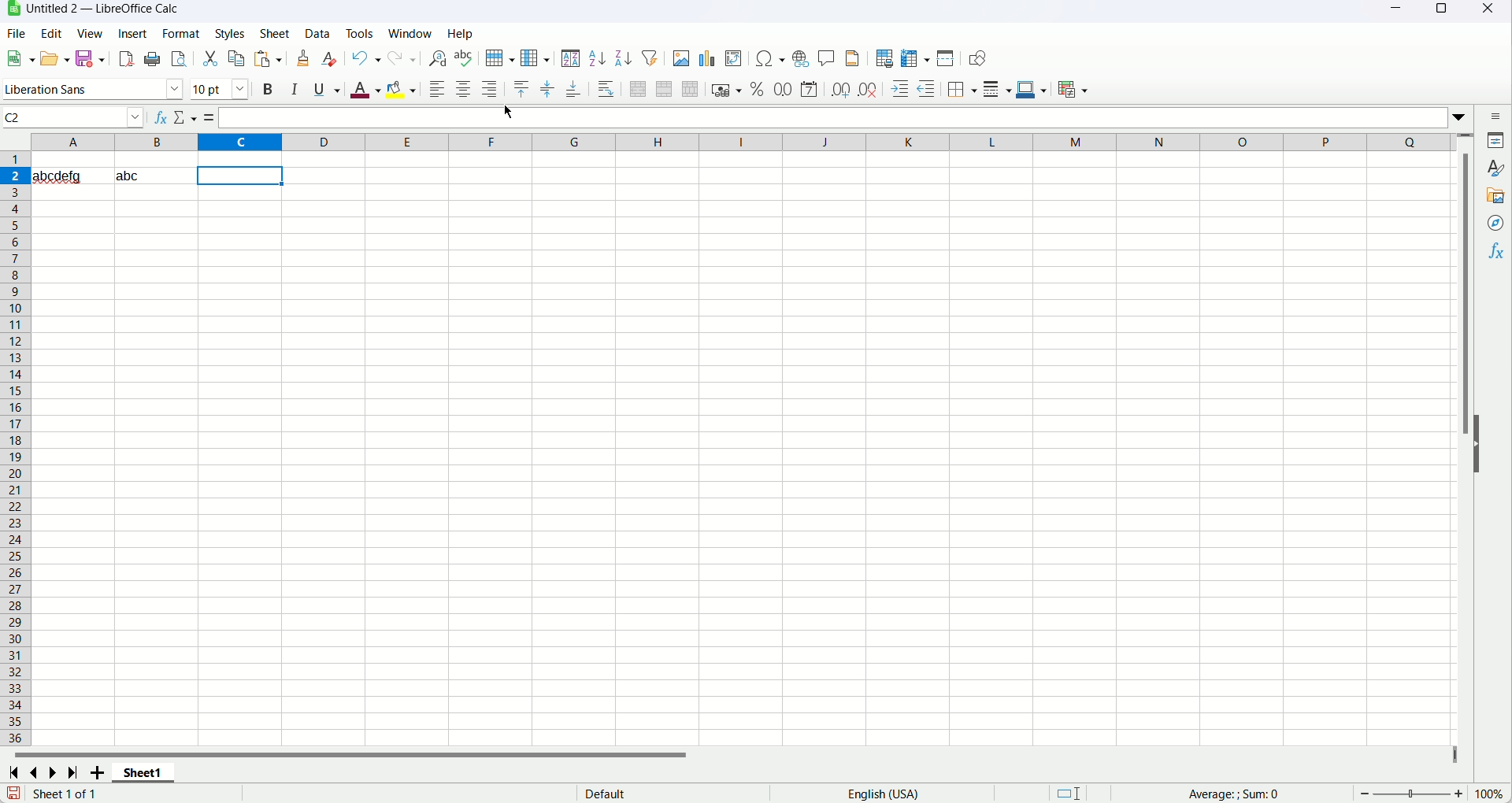 Image resolution: width=1512 pixels, height=803 pixels. I want to click on edit, so click(53, 33).